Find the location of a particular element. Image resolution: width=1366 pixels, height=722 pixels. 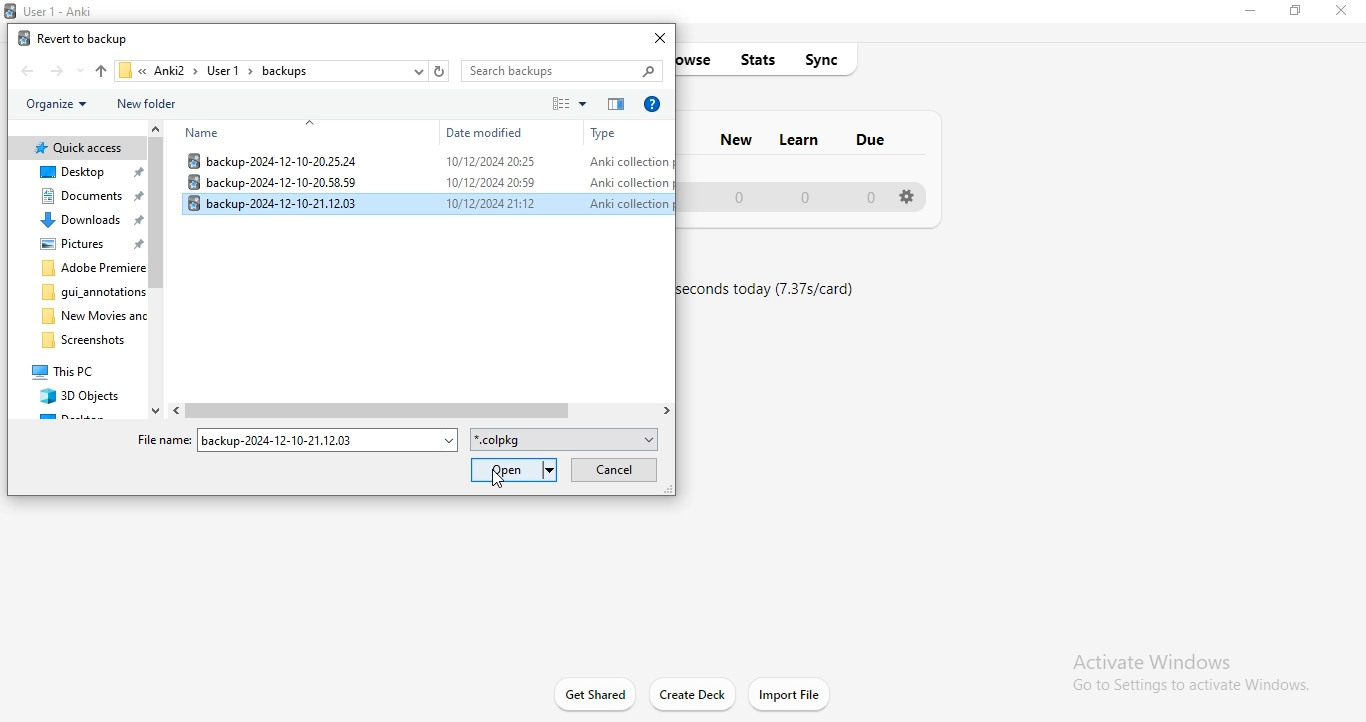

stats is located at coordinates (762, 58).